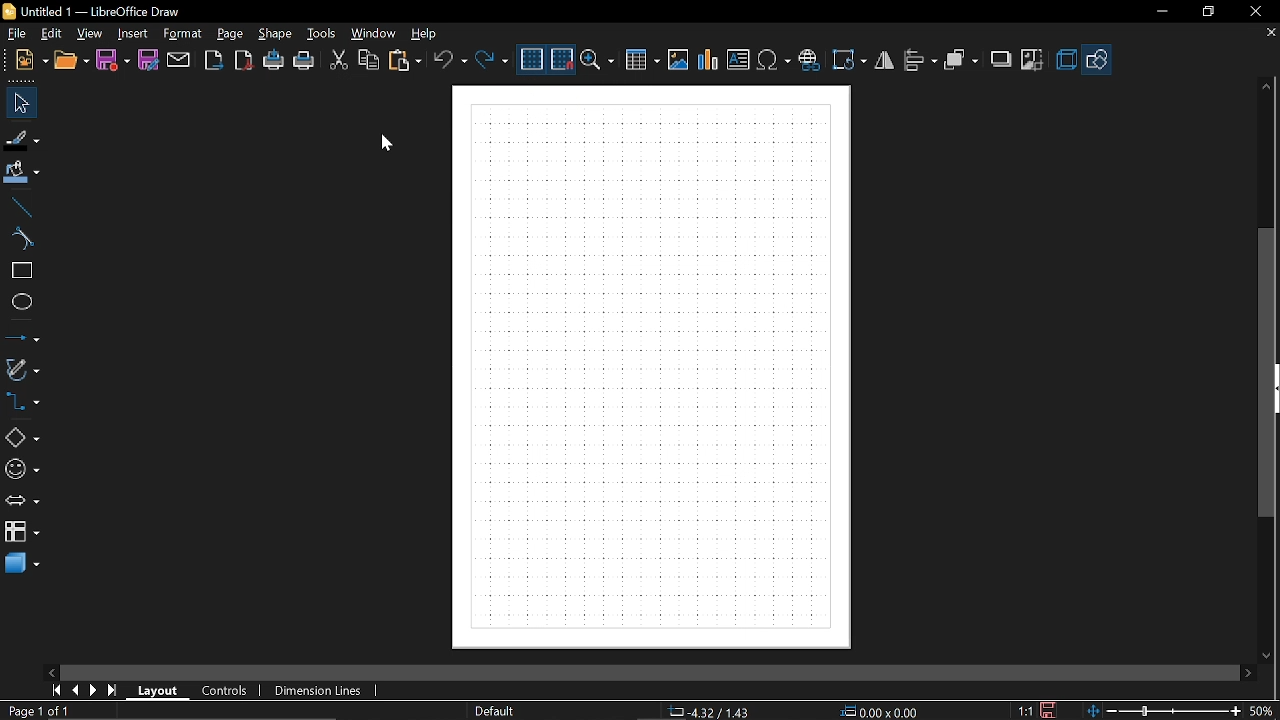  What do you see at coordinates (426, 35) in the screenshot?
I see `help` at bounding box center [426, 35].